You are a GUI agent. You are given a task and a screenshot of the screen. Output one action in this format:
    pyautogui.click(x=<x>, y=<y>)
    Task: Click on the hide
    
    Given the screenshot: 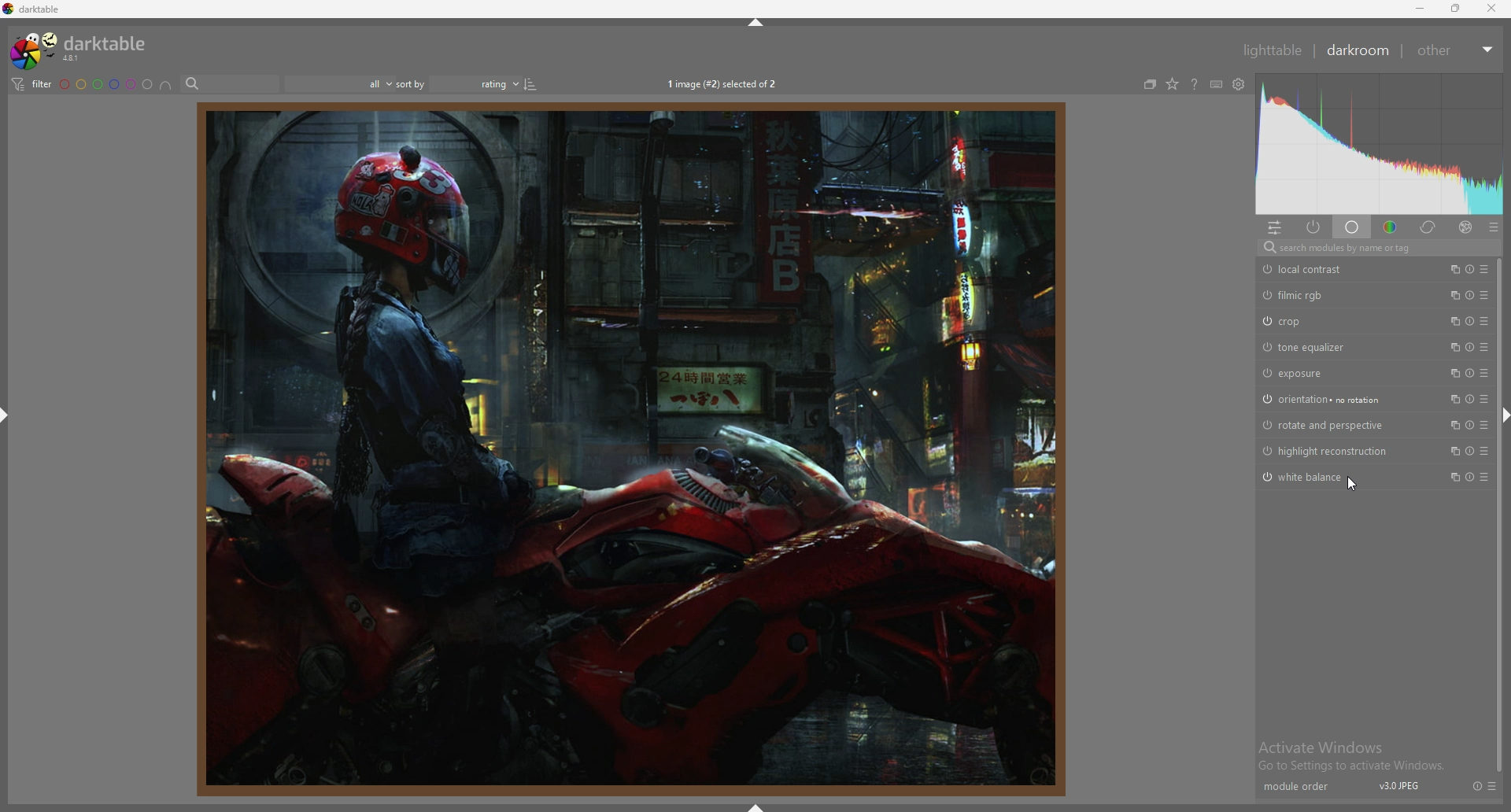 What is the action you would take?
    pyautogui.click(x=6, y=418)
    